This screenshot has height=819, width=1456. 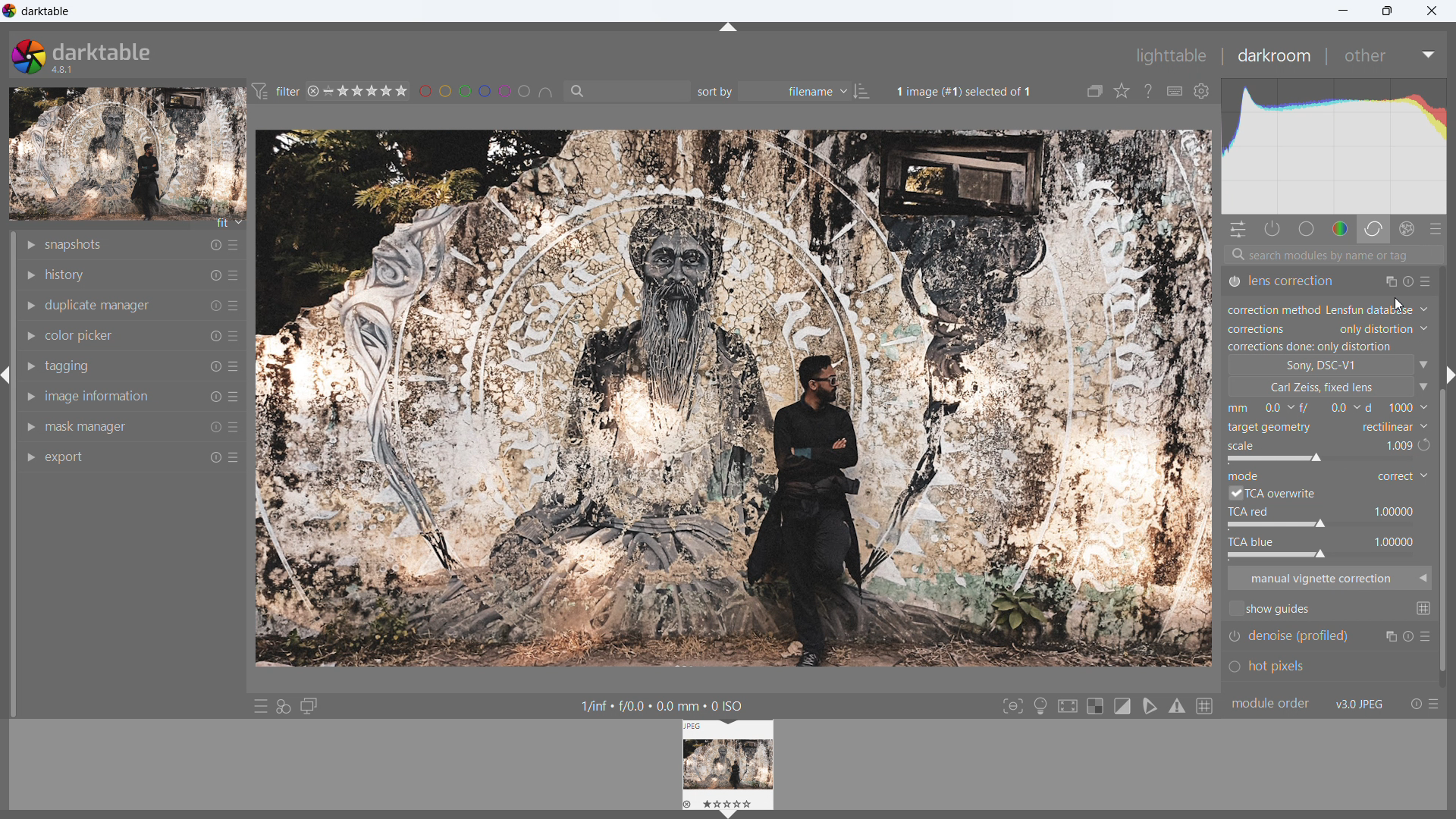 What do you see at coordinates (1447, 476) in the screenshot?
I see `scroll bar` at bounding box center [1447, 476].